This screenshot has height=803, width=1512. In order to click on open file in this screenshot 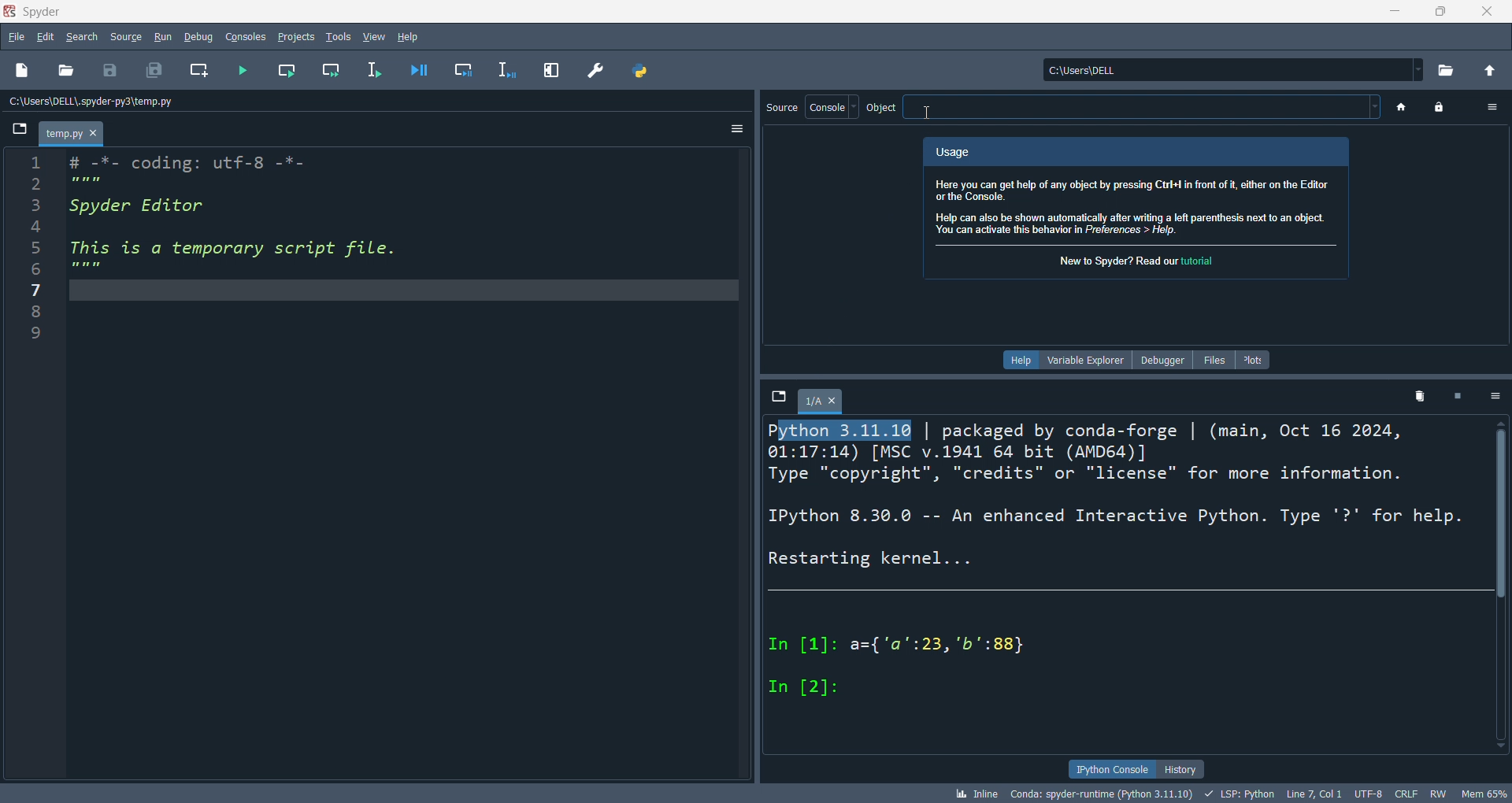, I will do `click(73, 70)`.